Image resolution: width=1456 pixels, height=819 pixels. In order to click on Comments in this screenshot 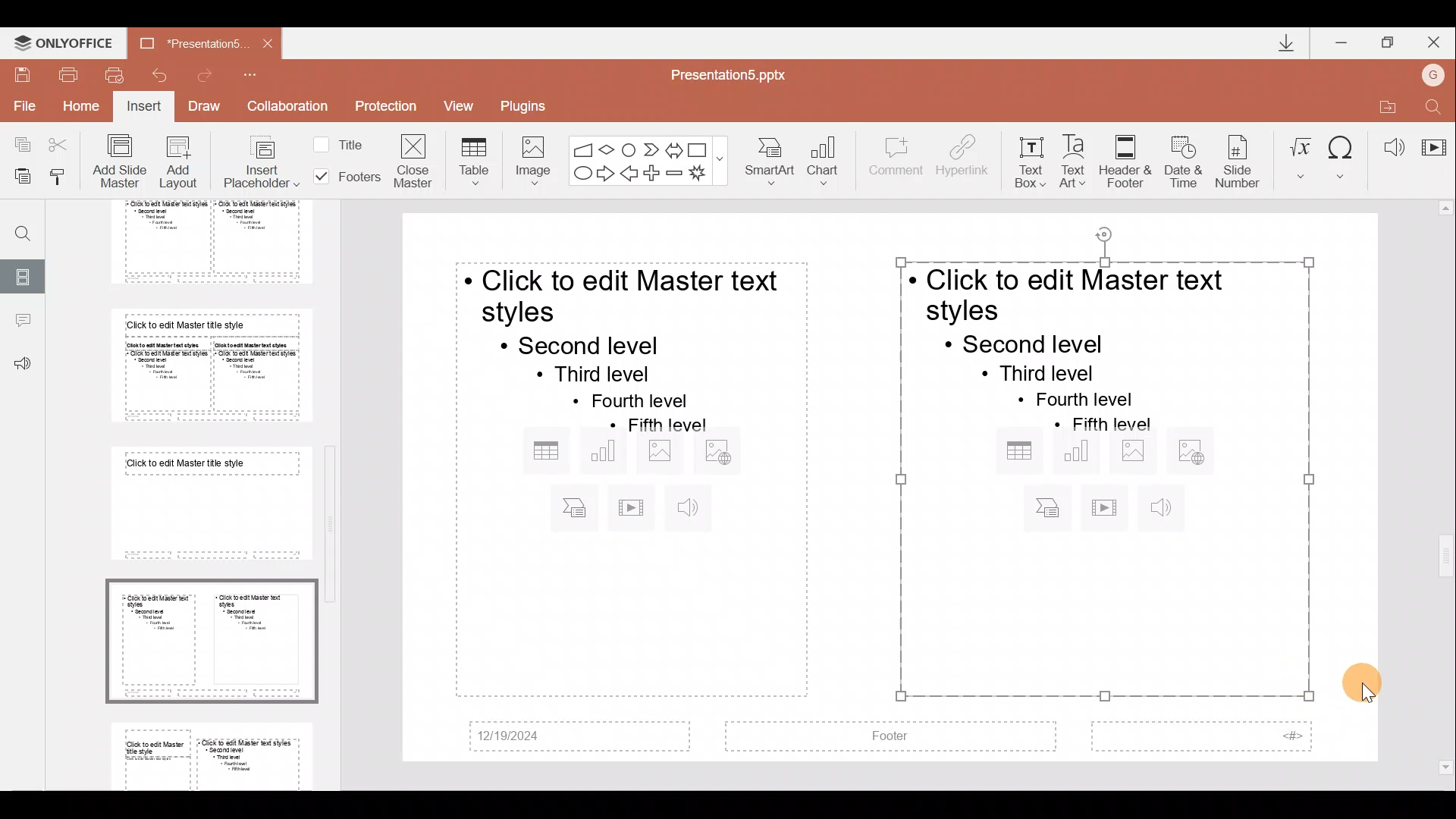, I will do `click(22, 322)`.